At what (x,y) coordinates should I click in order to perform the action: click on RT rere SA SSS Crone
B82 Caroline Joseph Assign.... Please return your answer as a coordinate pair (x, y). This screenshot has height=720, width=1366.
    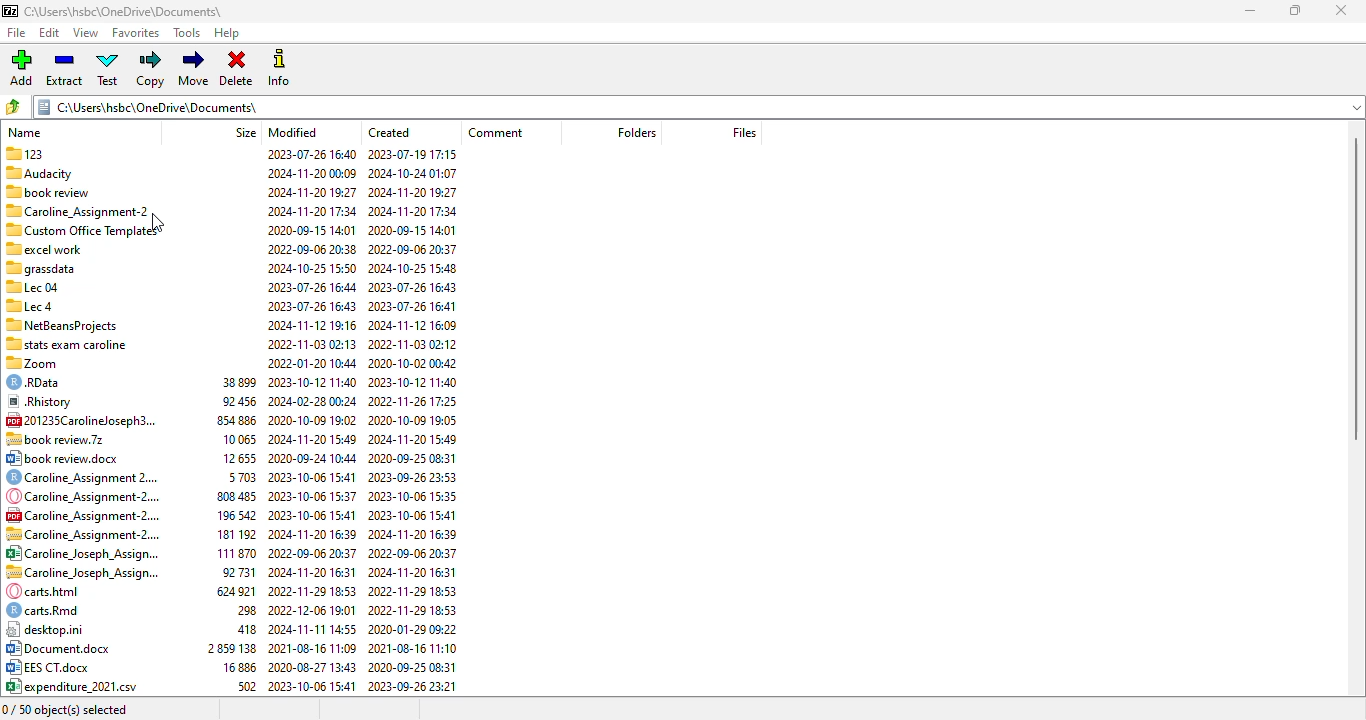
    Looking at the image, I should click on (84, 554).